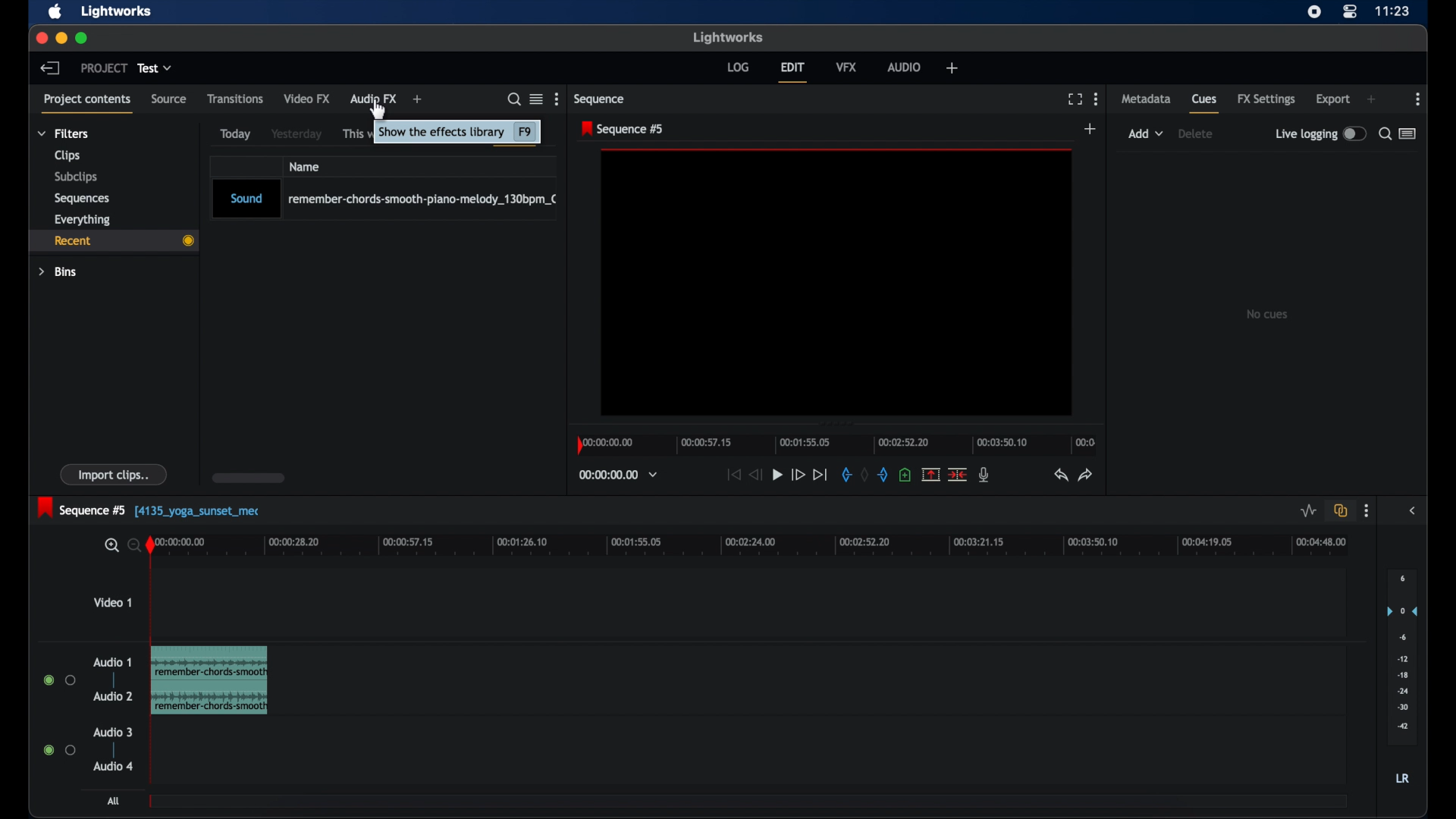 This screenshot has width=1456, height=819. Describe the element at coordinates (104, 67) in the screenshot. I see `project` at that location.